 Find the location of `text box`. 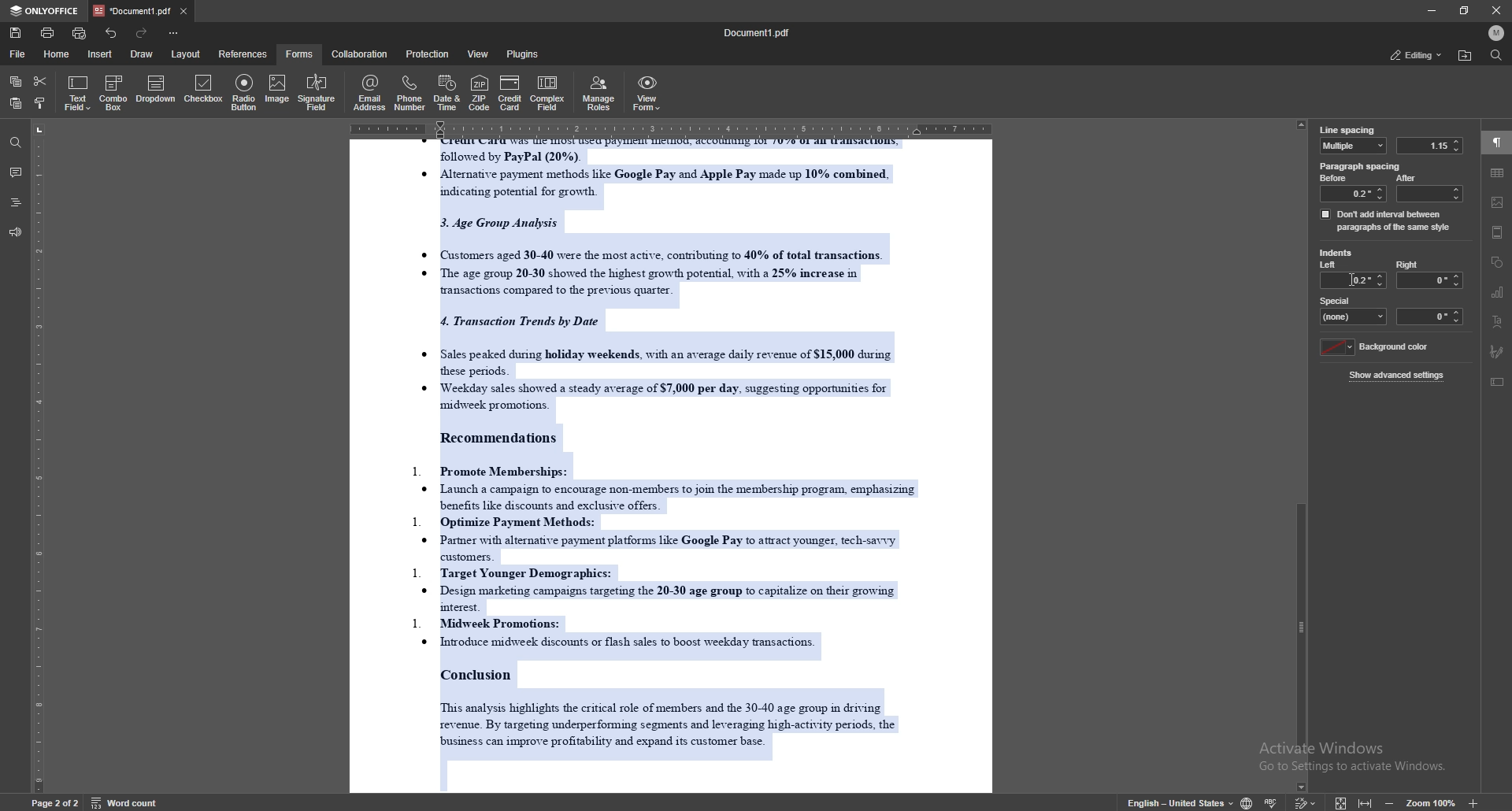

text box is located at coordinates (1499, 382).